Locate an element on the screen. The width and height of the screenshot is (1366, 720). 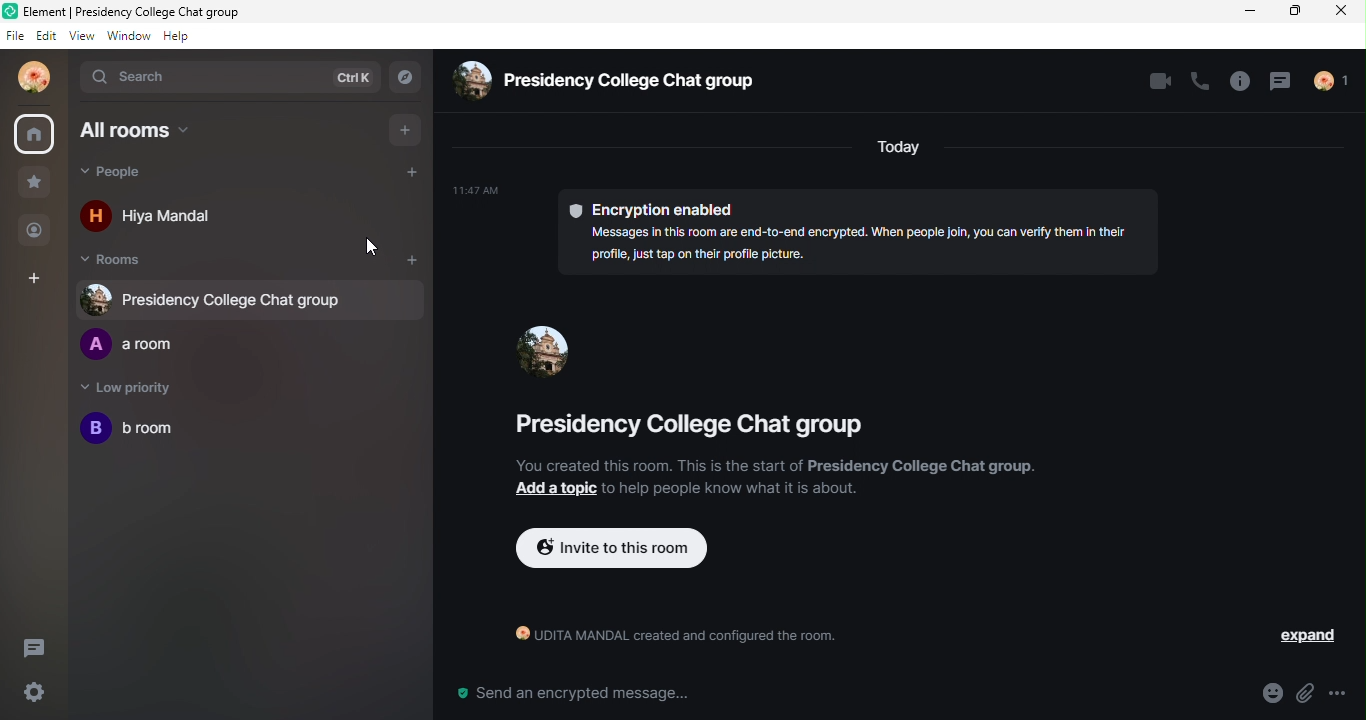
threads is located at coordinates (41, 646).